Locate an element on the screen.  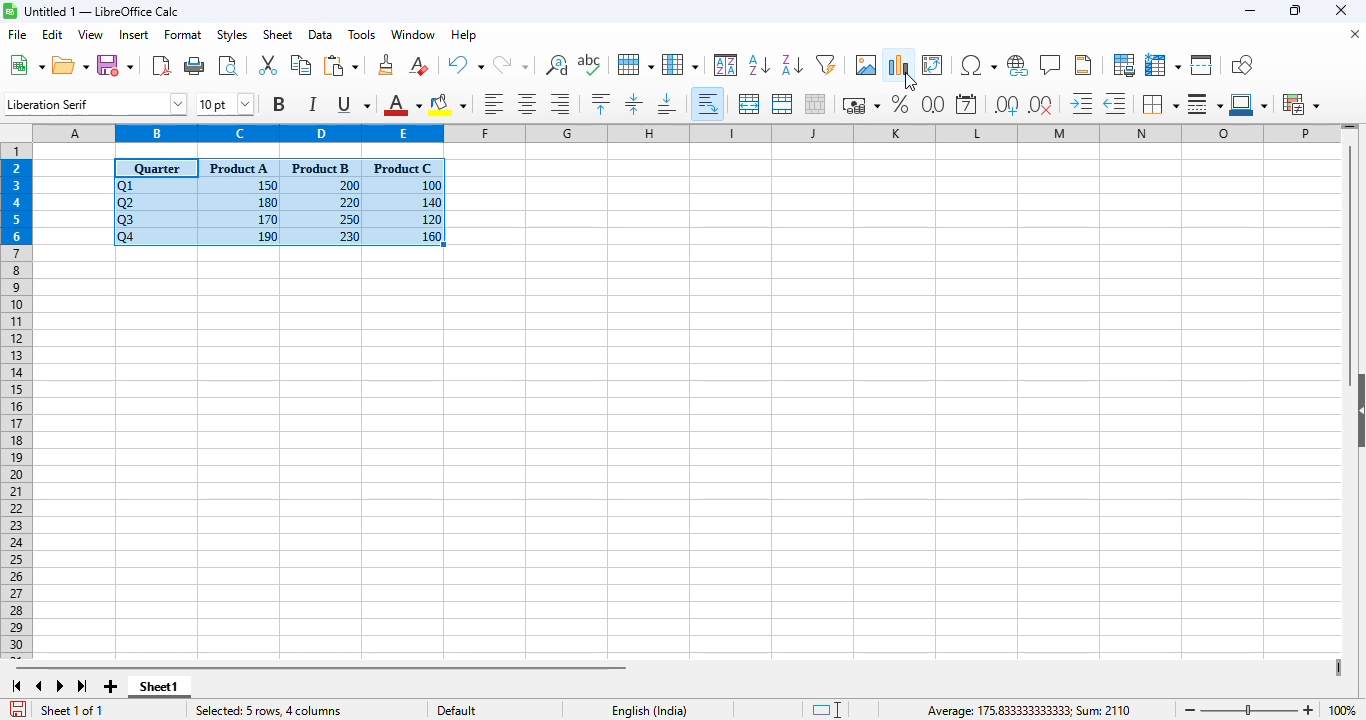
format as percent is located at coordinates (899, 103).